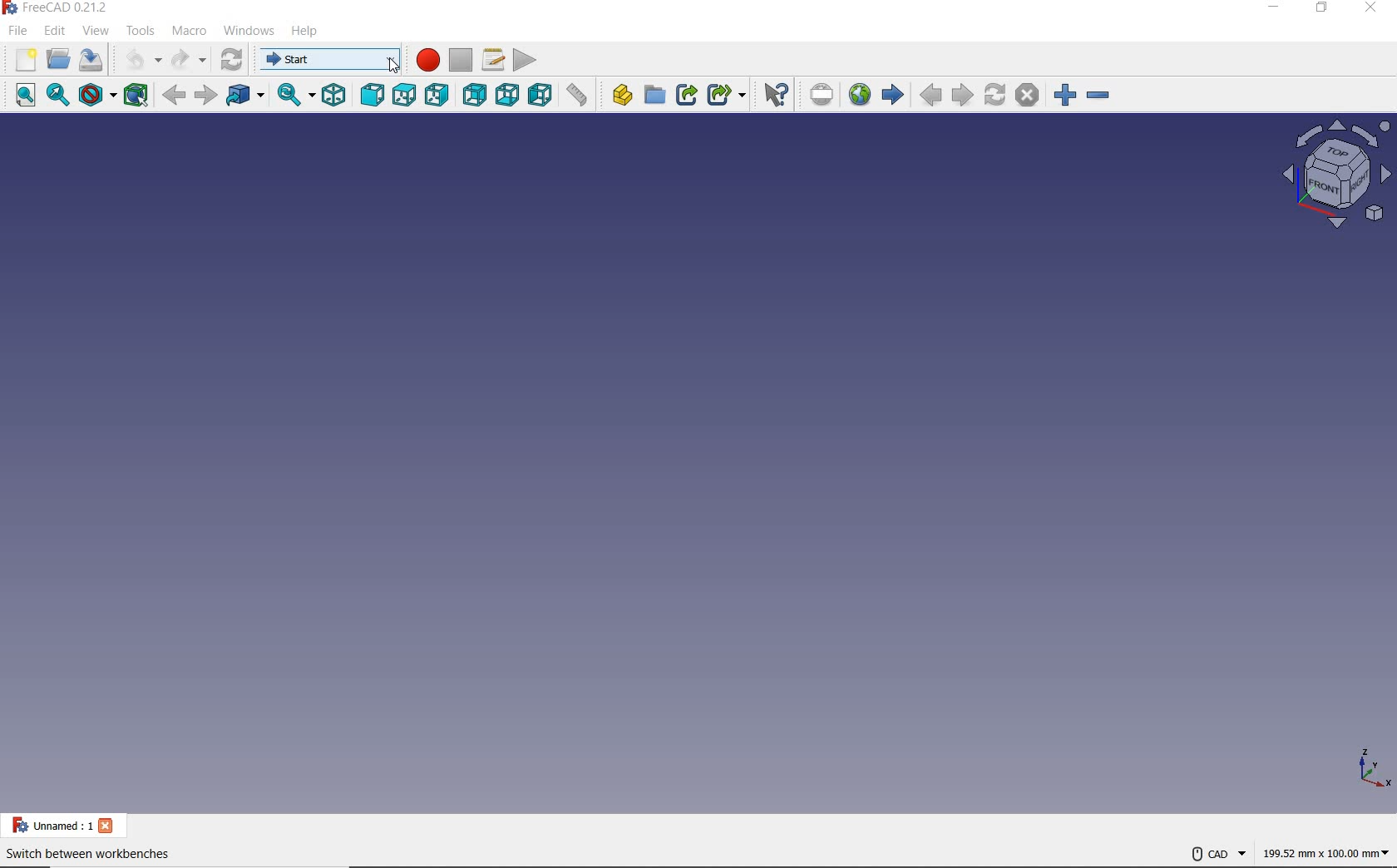  Describe the element at coordinates (250, 31) in the screenshot. I see `WINDOWS` at that location.